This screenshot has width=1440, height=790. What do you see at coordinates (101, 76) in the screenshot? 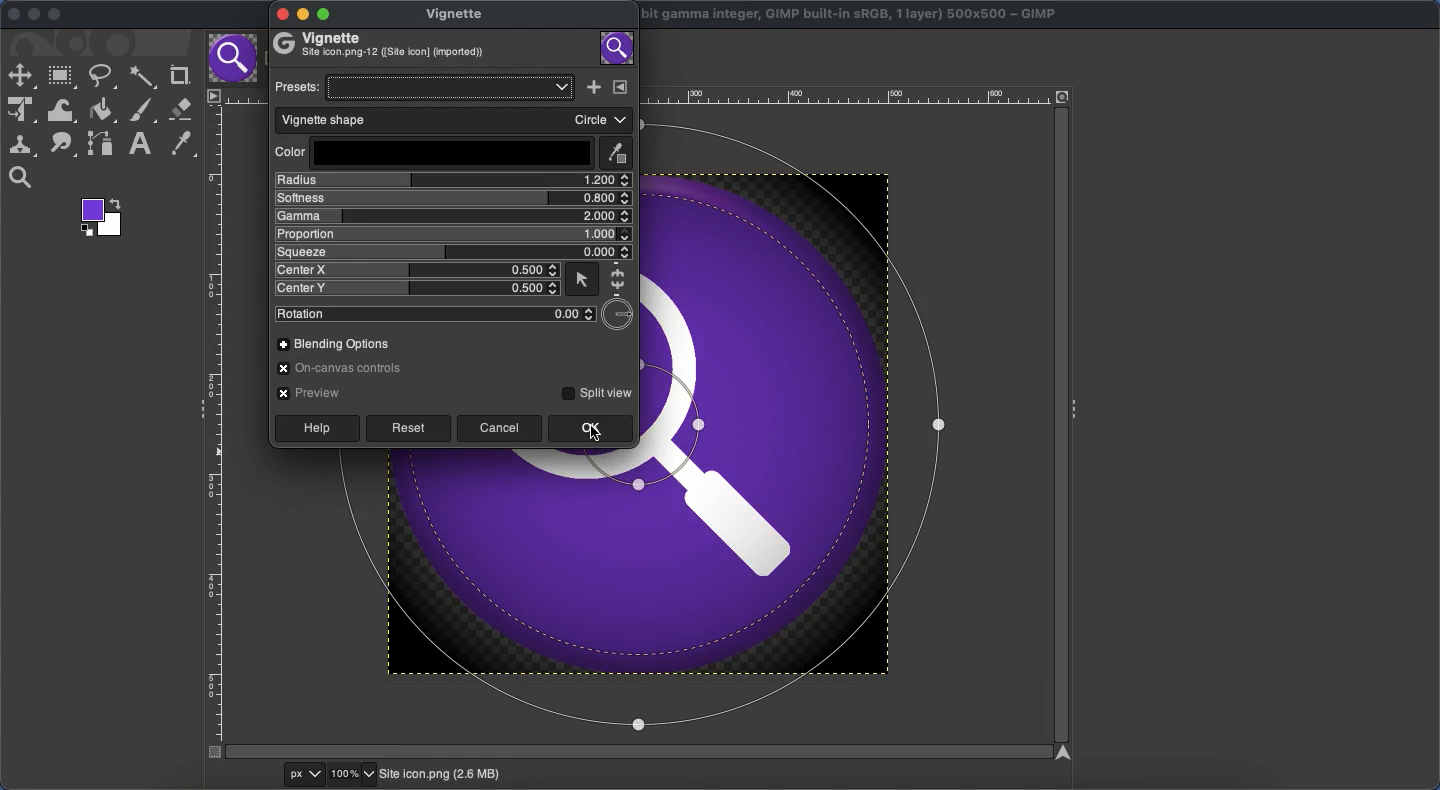
I see `Freeform selector` at bounding box center [101, 76].